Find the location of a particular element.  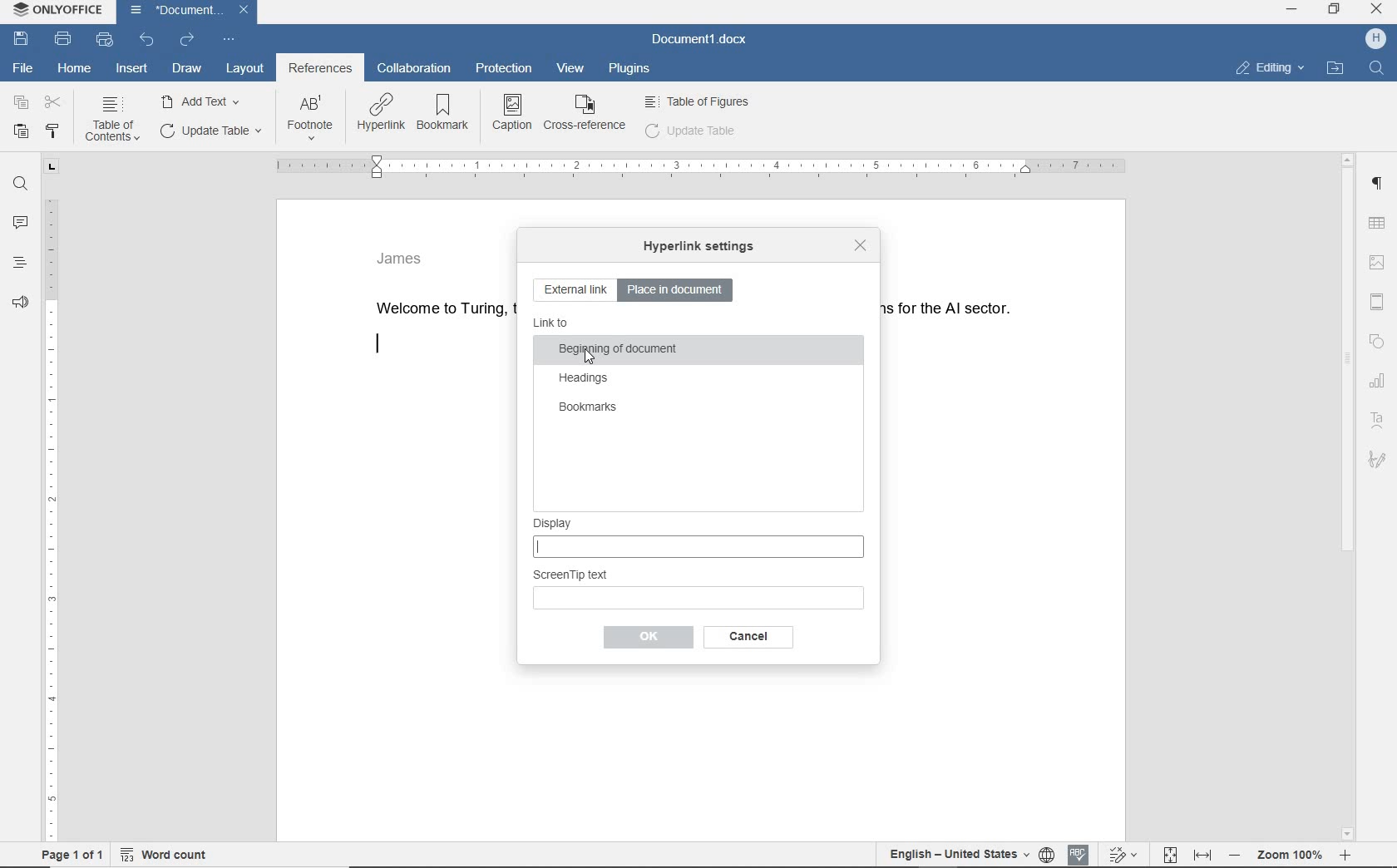

view is located at coordinates (568, 69).